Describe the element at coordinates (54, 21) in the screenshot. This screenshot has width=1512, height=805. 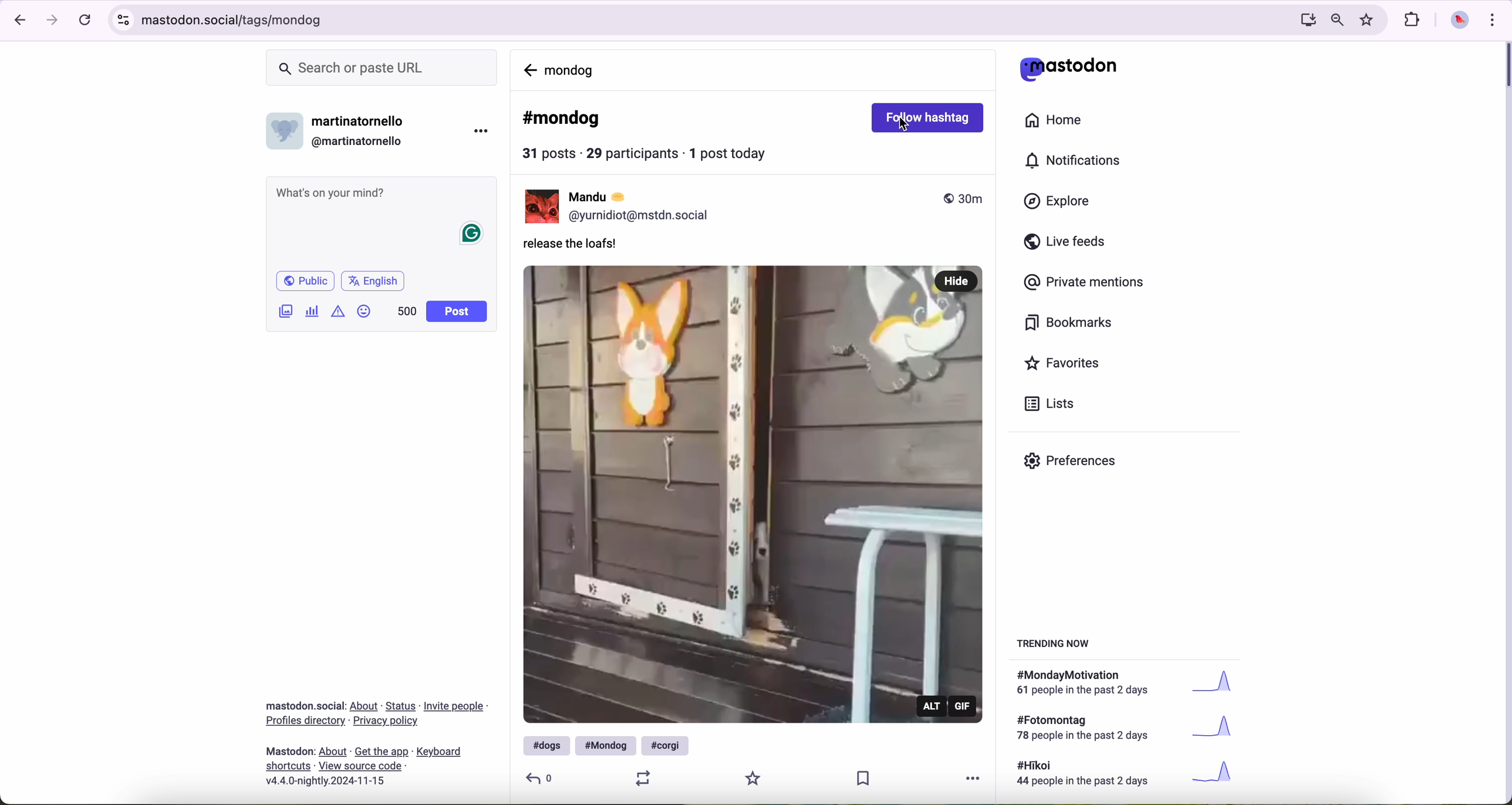
I see `navigate foward` at that location.